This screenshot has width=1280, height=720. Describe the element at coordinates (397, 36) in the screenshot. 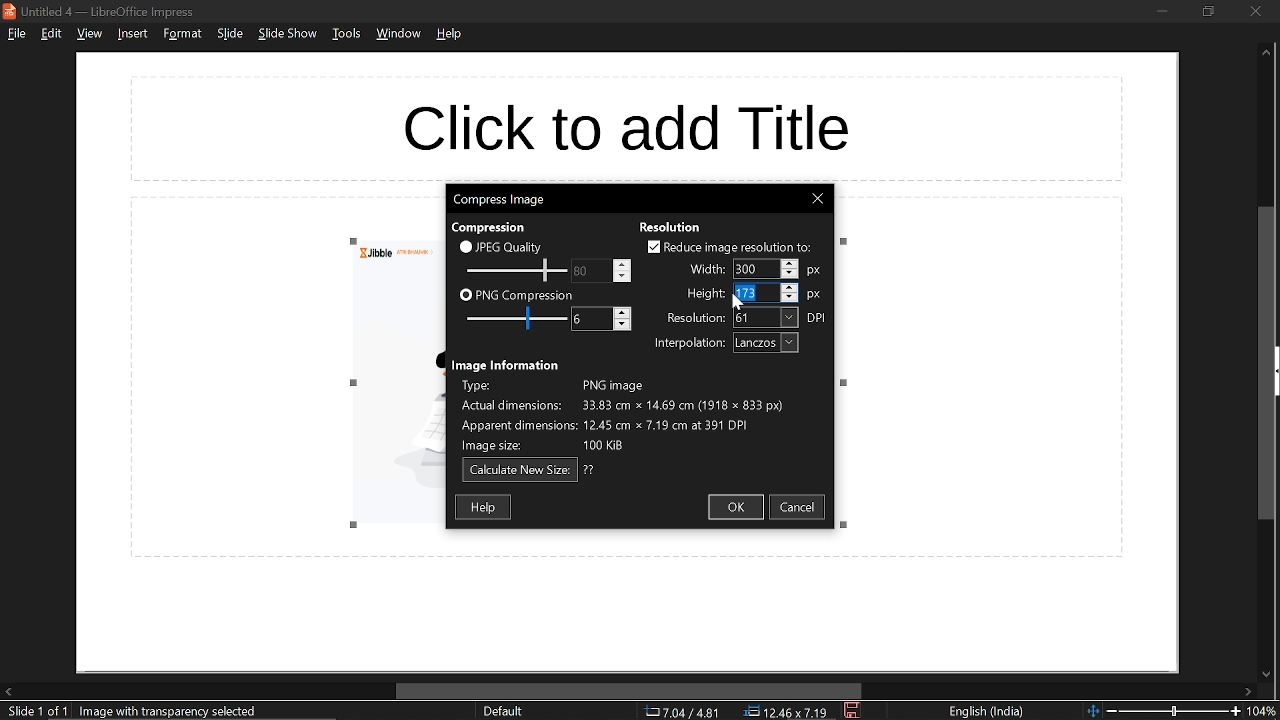

I see `window` at that location.